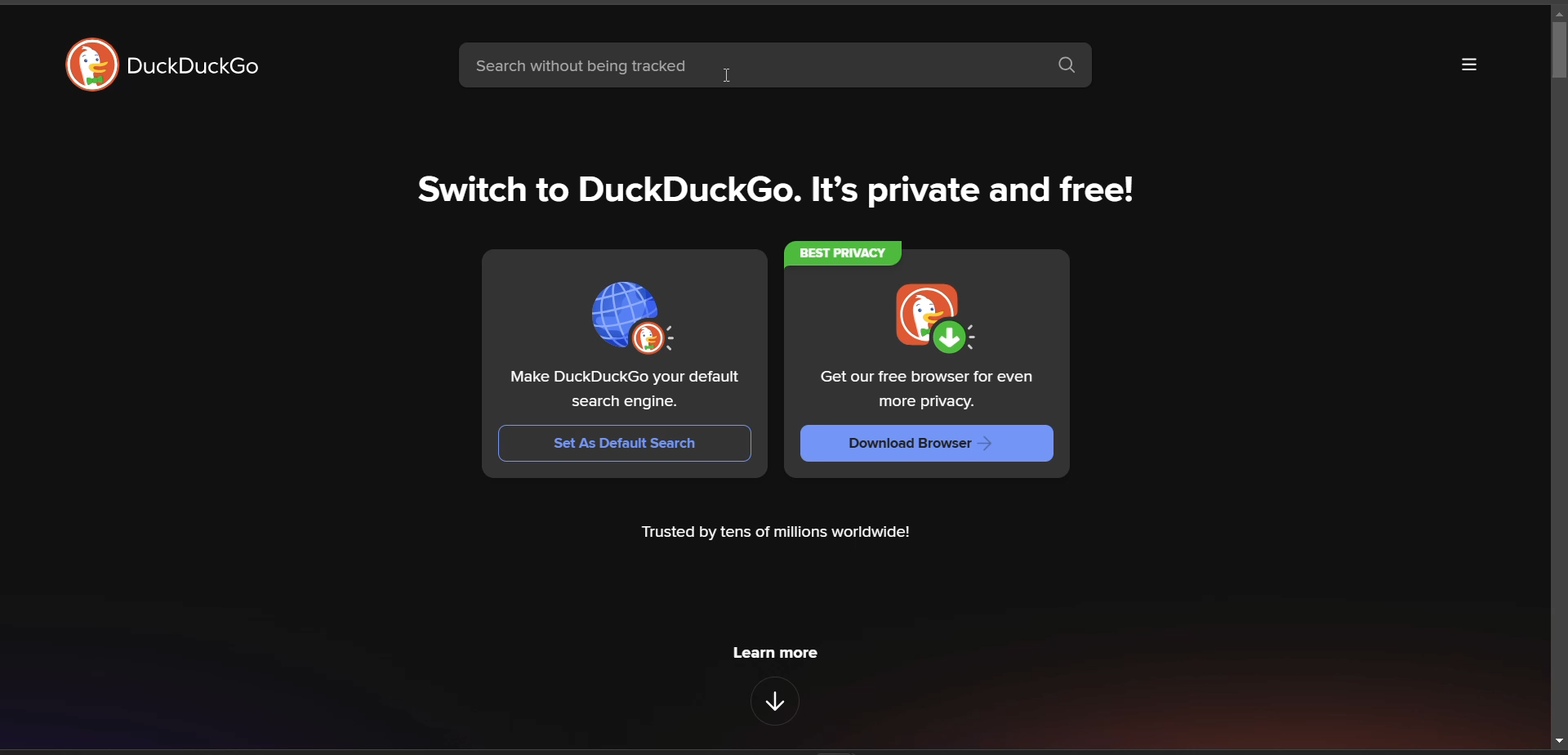 This screenshot has width=1568, height=755. I want to click on features, so click(777, 702).